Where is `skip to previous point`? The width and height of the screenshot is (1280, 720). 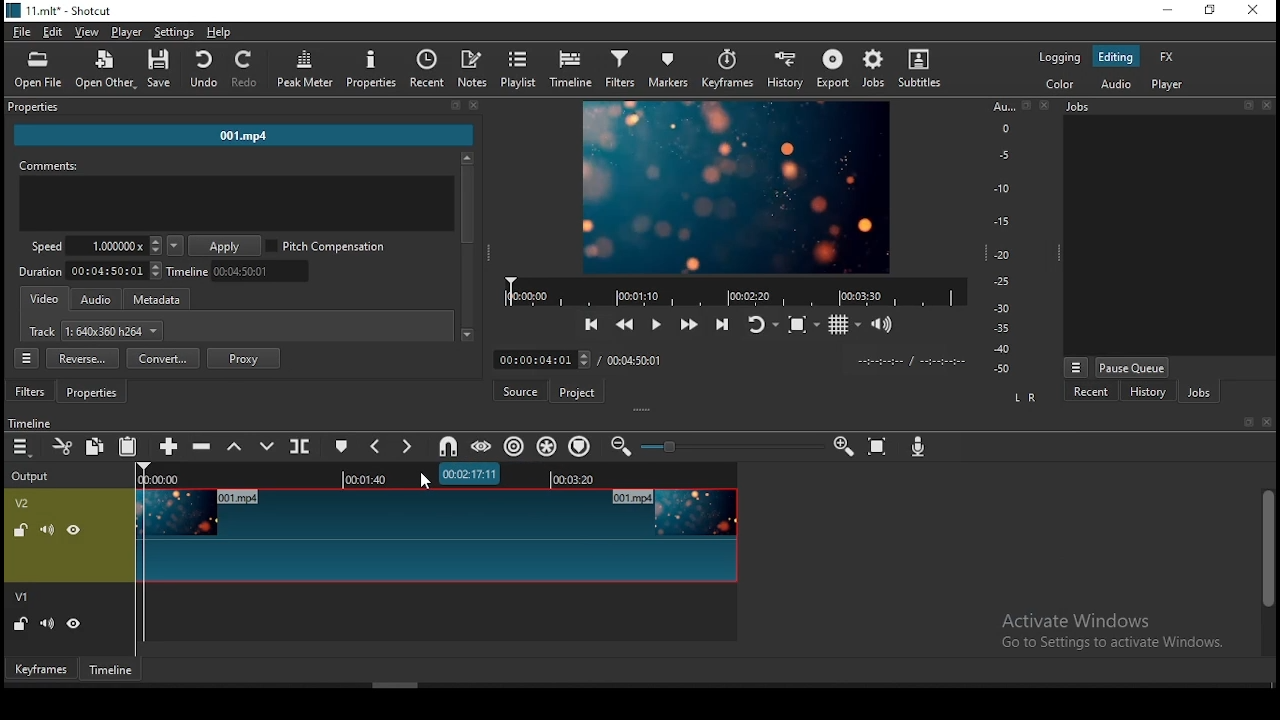 skip to previous point is located at coordinates (591, 322).